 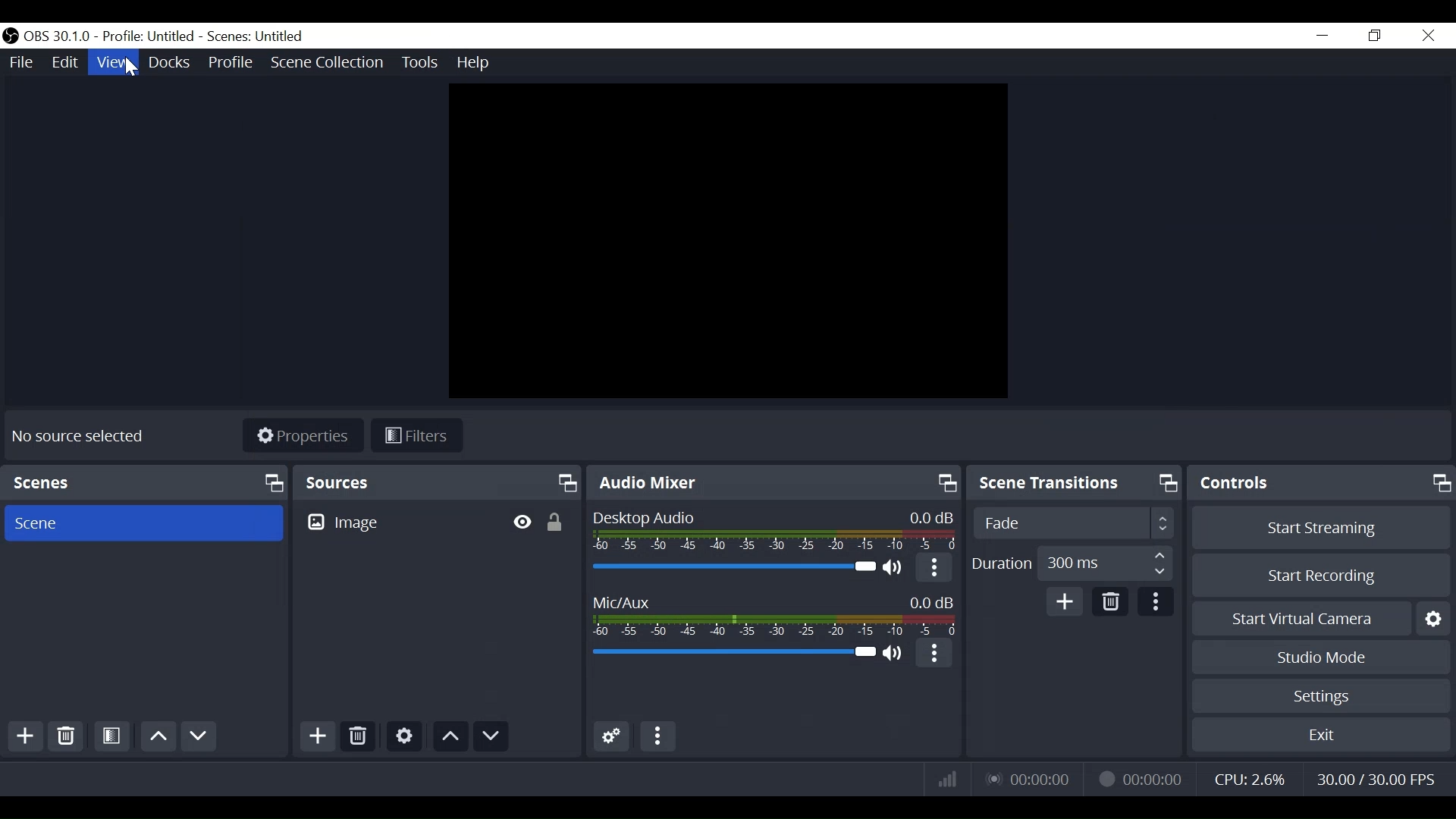 I want to click on Exit, so click(x=1320, y=736).